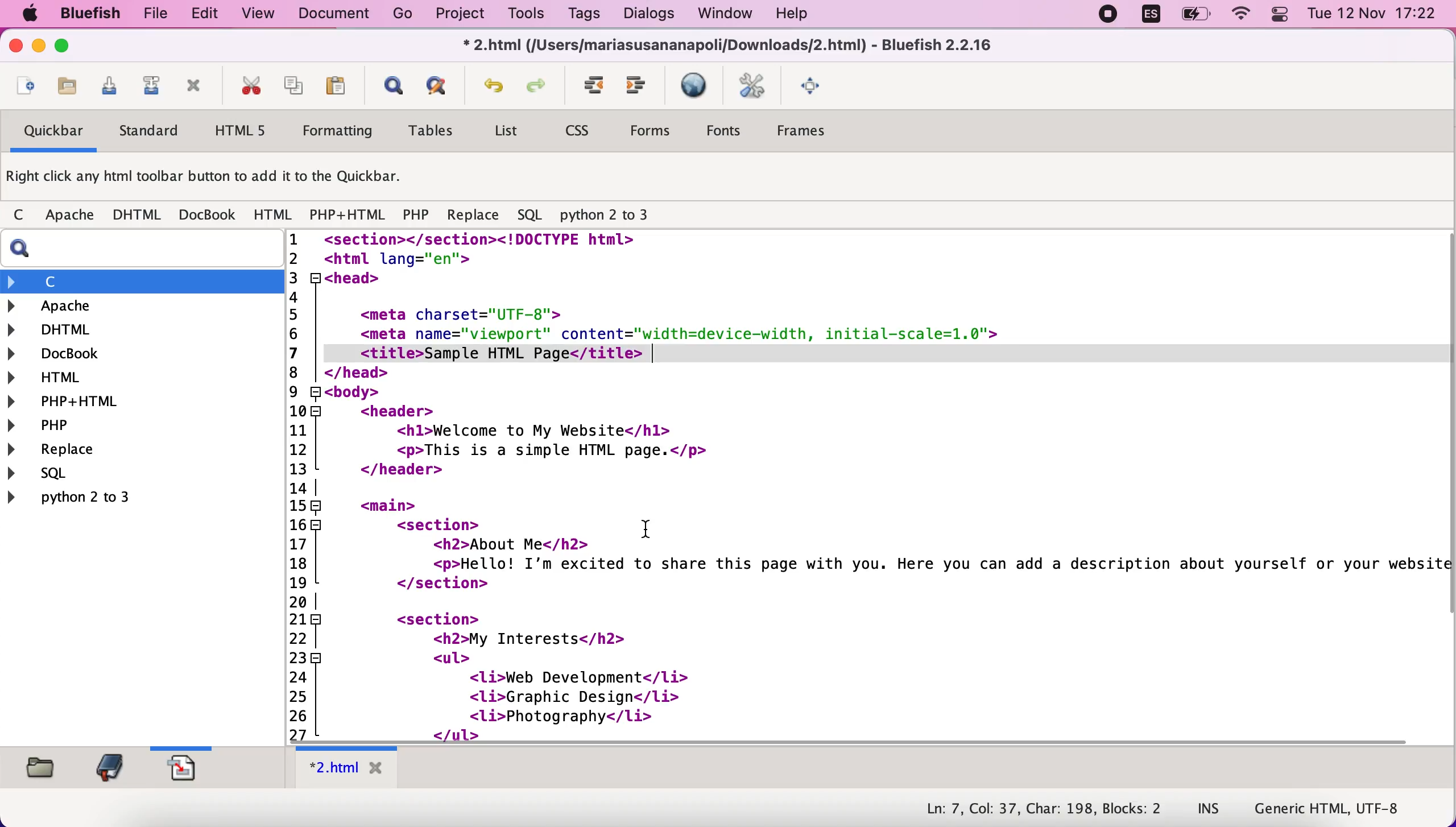 The image size is (1456, 827). What do you see at coordinates (140, 215) in the screenshot?
I see `dhtml` at bounding box center [140, 215].